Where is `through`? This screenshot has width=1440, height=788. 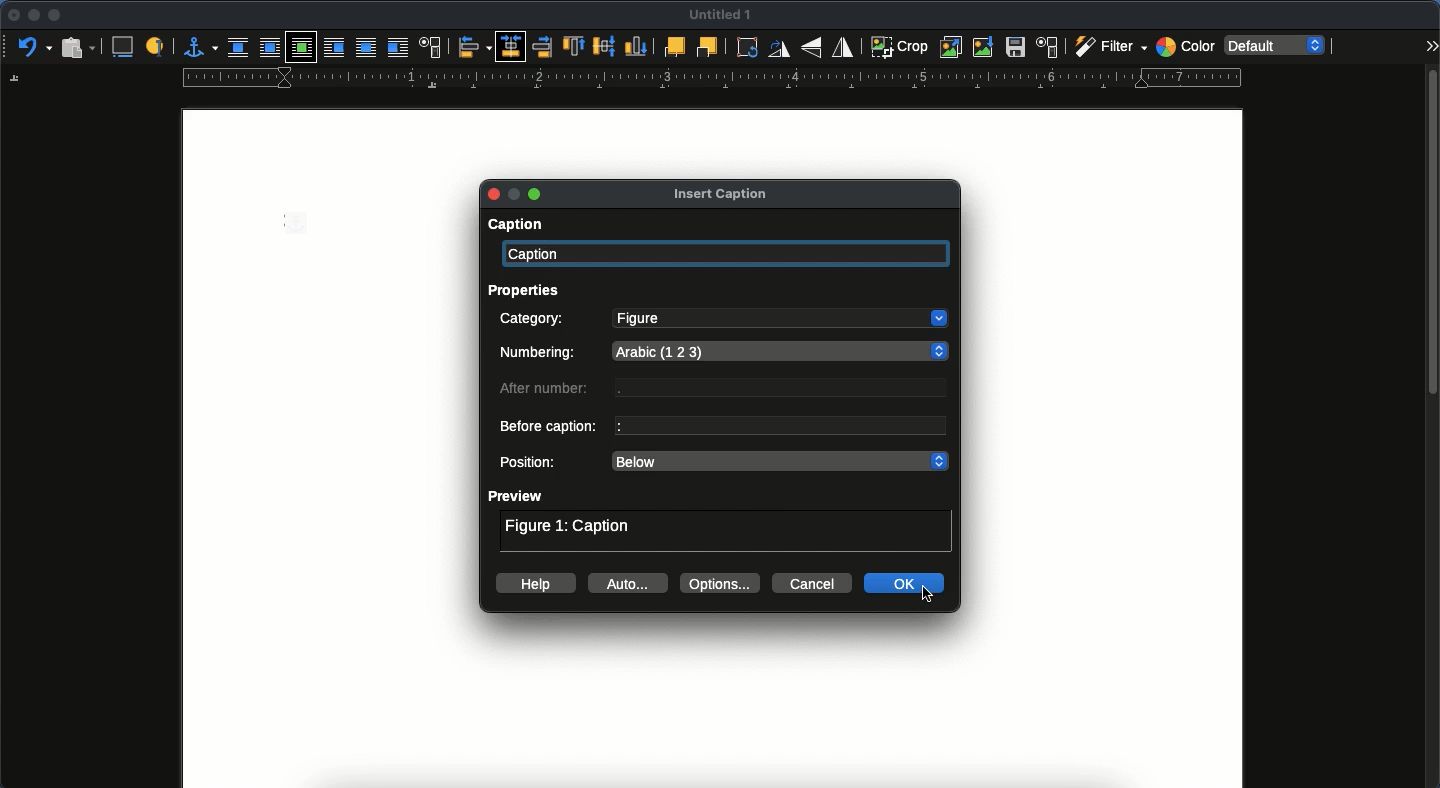
through is located at coordinates (368, 47).